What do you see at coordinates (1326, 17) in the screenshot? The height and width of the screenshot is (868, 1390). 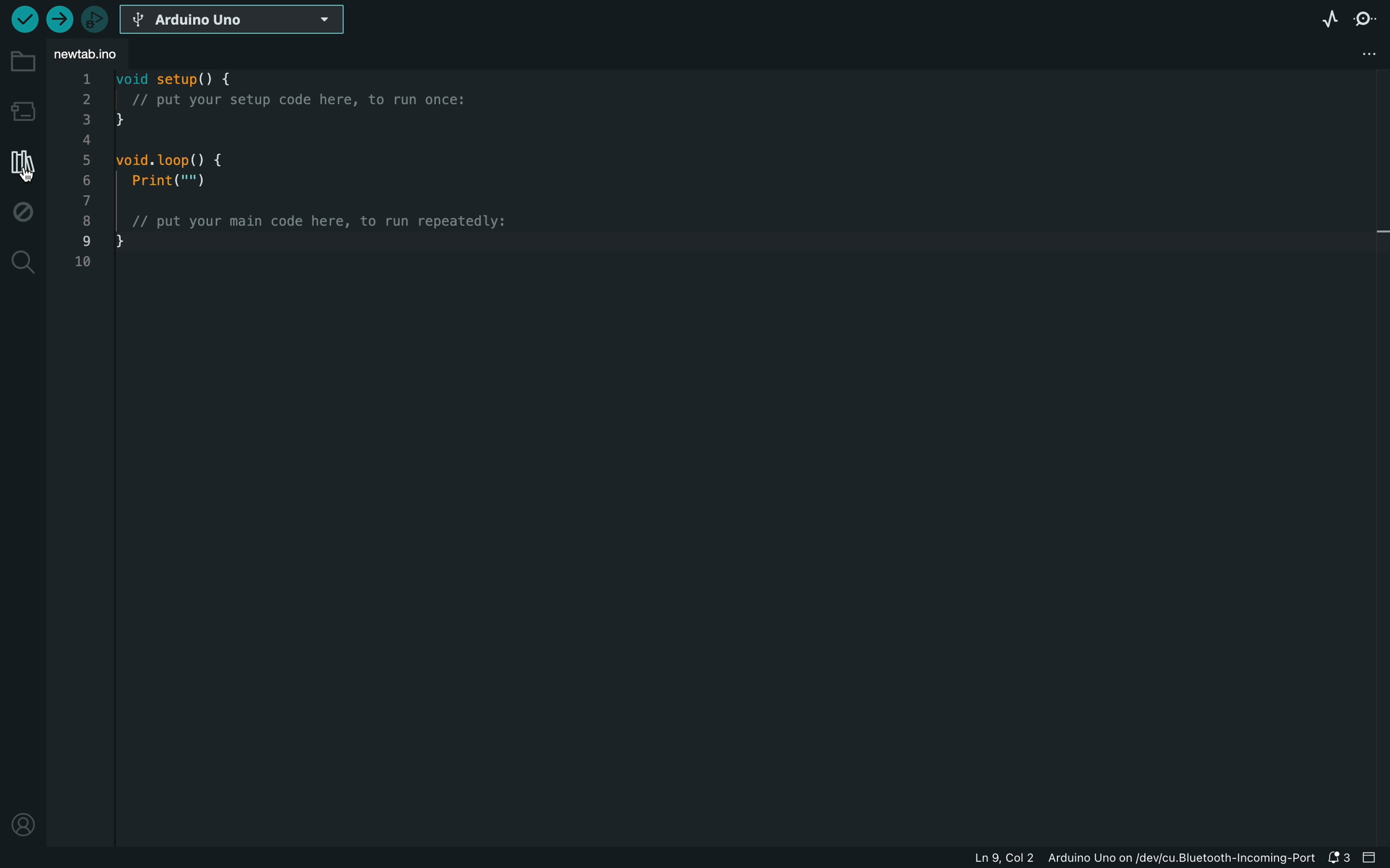 I see `serial plotter` at bounding box center [1326, 17].